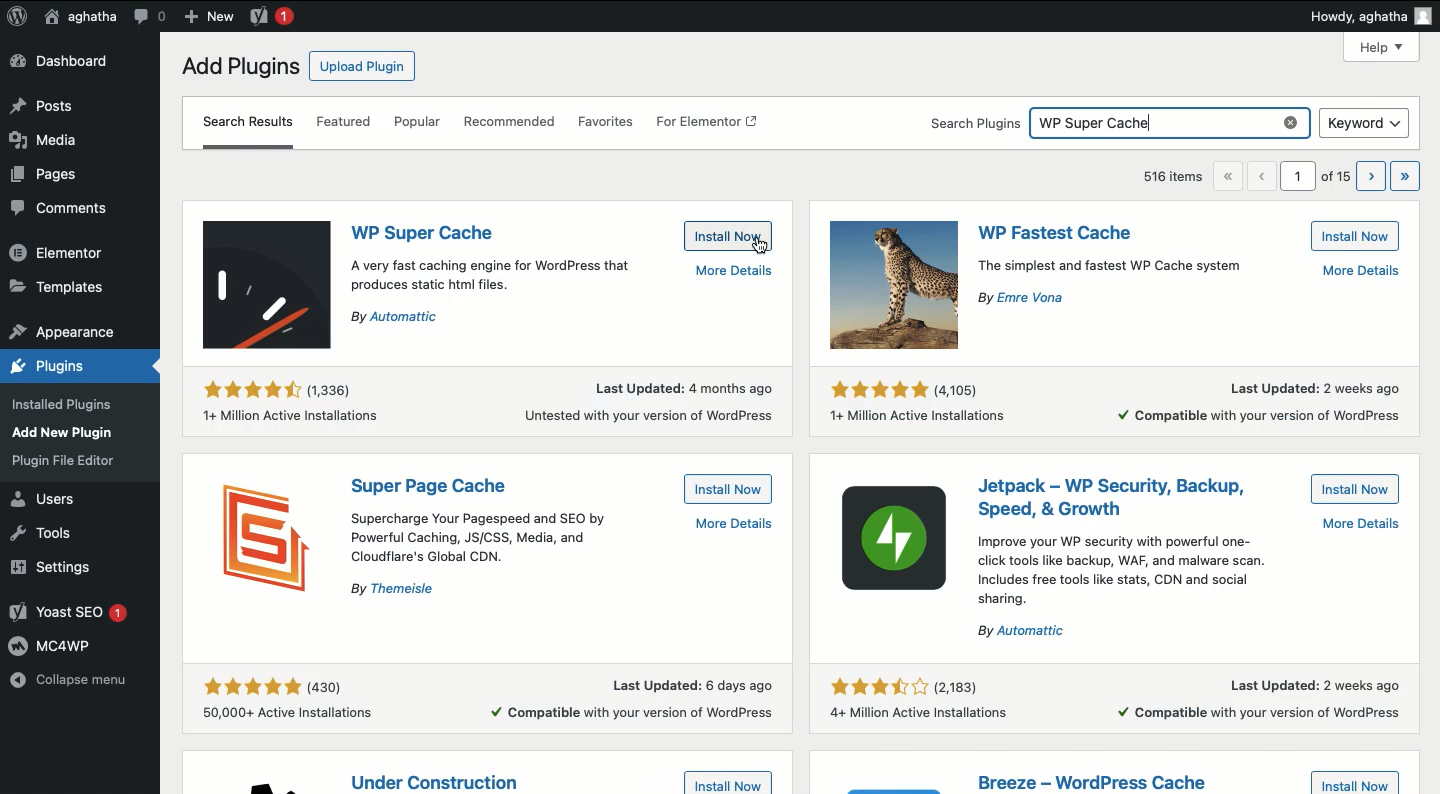  What do you see at coordinates (265, 542) in the screenshot?
I see `Icon` at bounding box center [265, 542].